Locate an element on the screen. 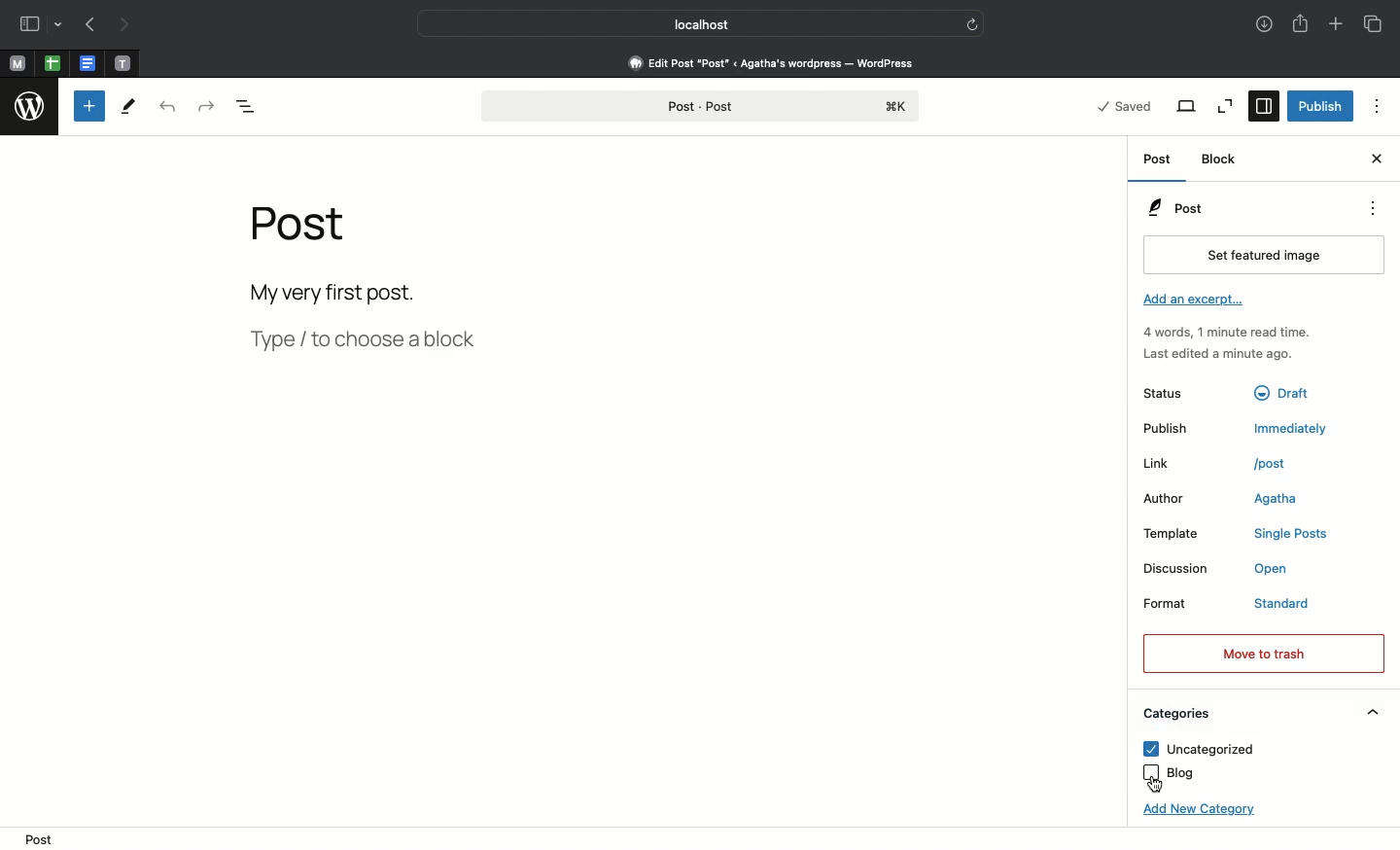 This screenshot has height=850, width=1400. Local host is located at coordinates (688, 23).